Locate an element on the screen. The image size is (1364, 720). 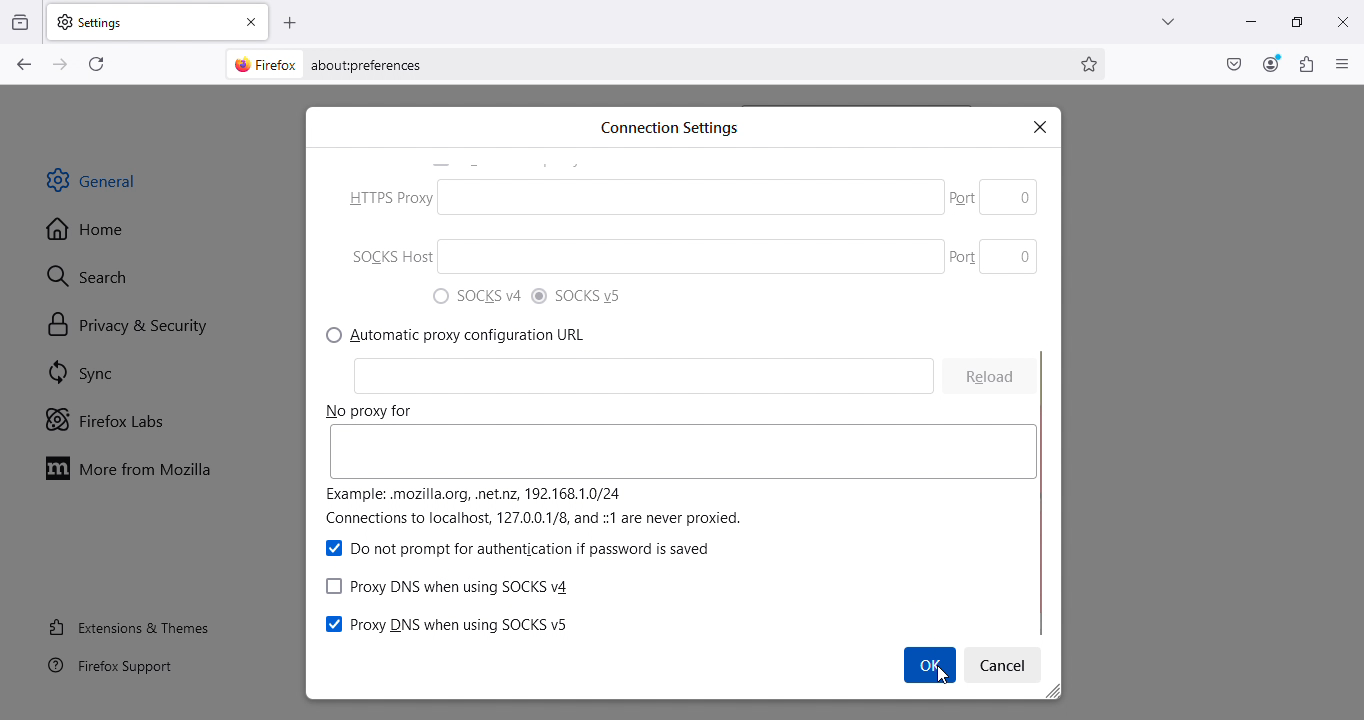
0 Auto-detect proxy settings for this network is located at coordinates (578, 297).